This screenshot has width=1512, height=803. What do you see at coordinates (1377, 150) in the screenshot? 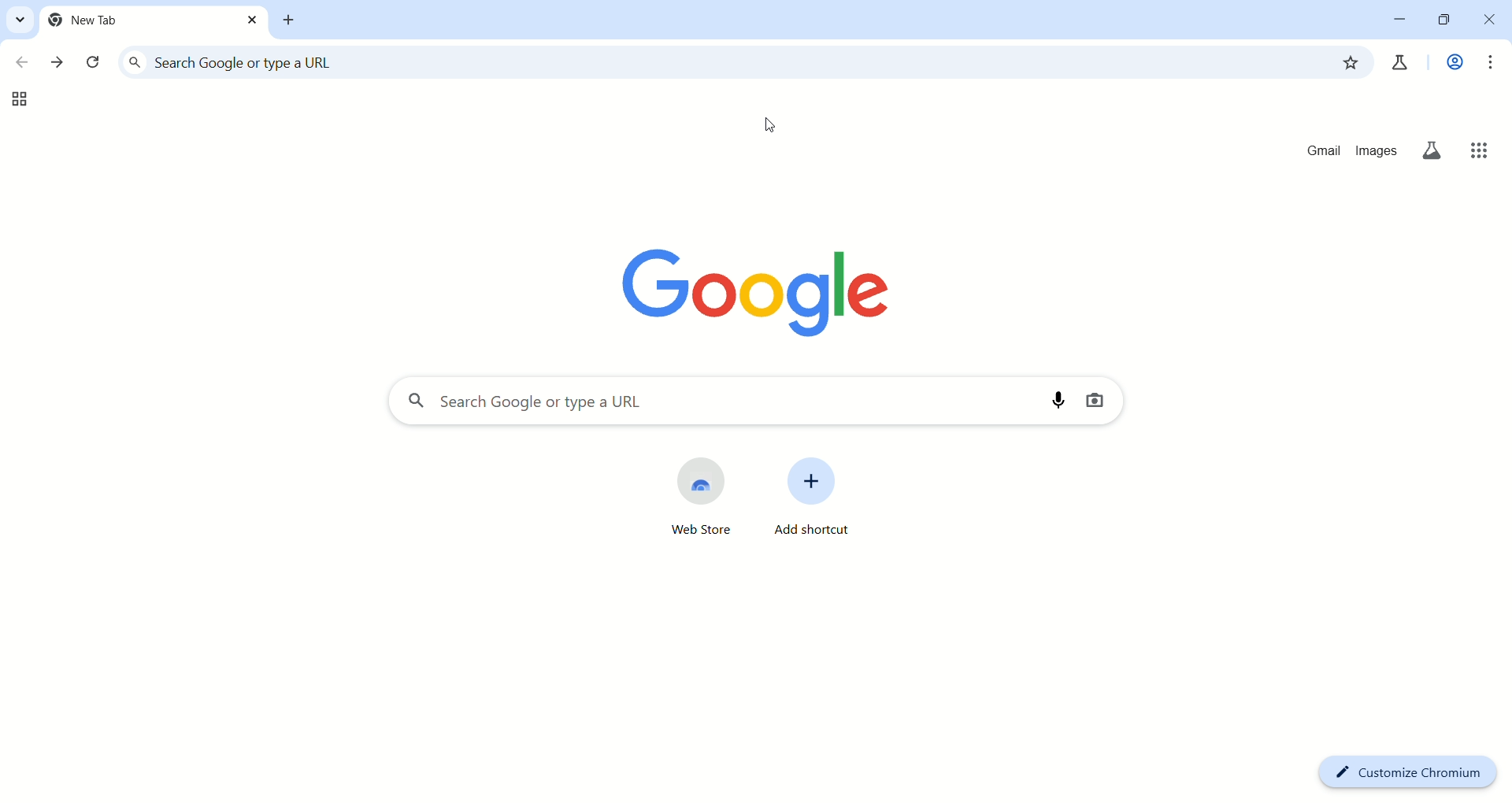
I see `images` at bounding box center [1377, 150].